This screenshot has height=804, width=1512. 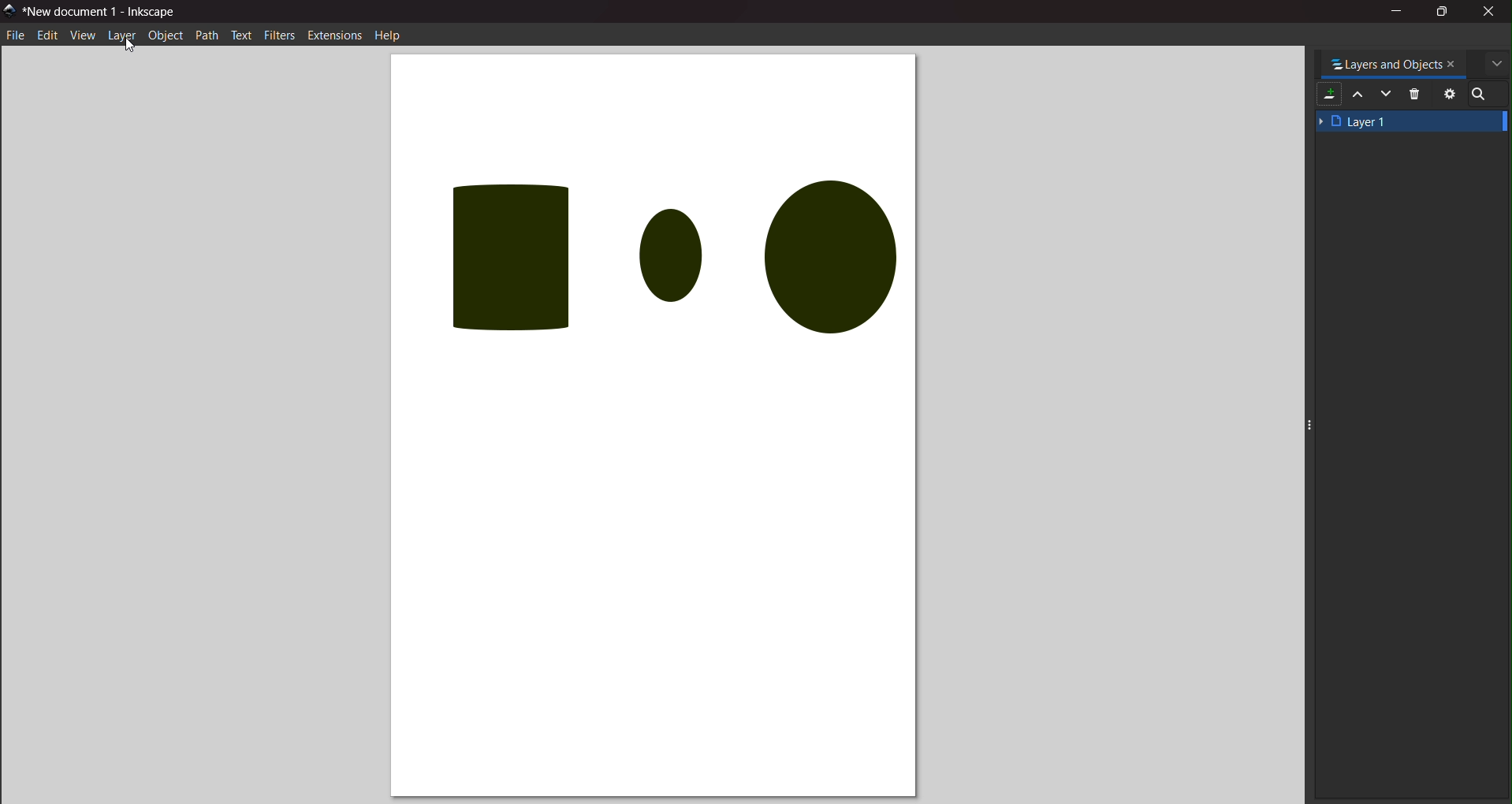 What do you see at coordinates (82, 38) in the screenshot?
I see `view` at bounding box center [82, 38].